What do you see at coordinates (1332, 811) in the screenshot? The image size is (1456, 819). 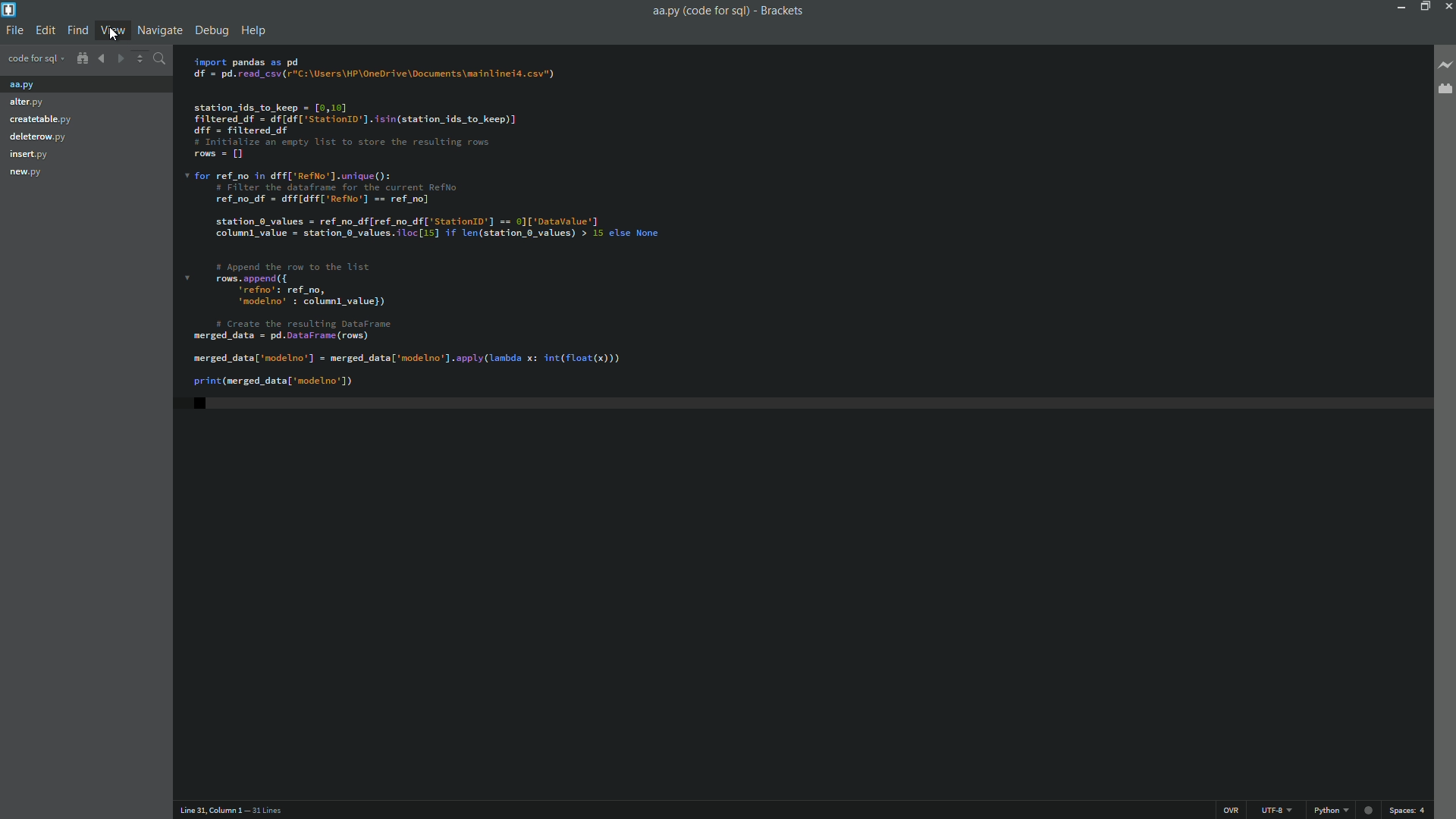 I see `change file format button` at bounding box center [1332, 811].